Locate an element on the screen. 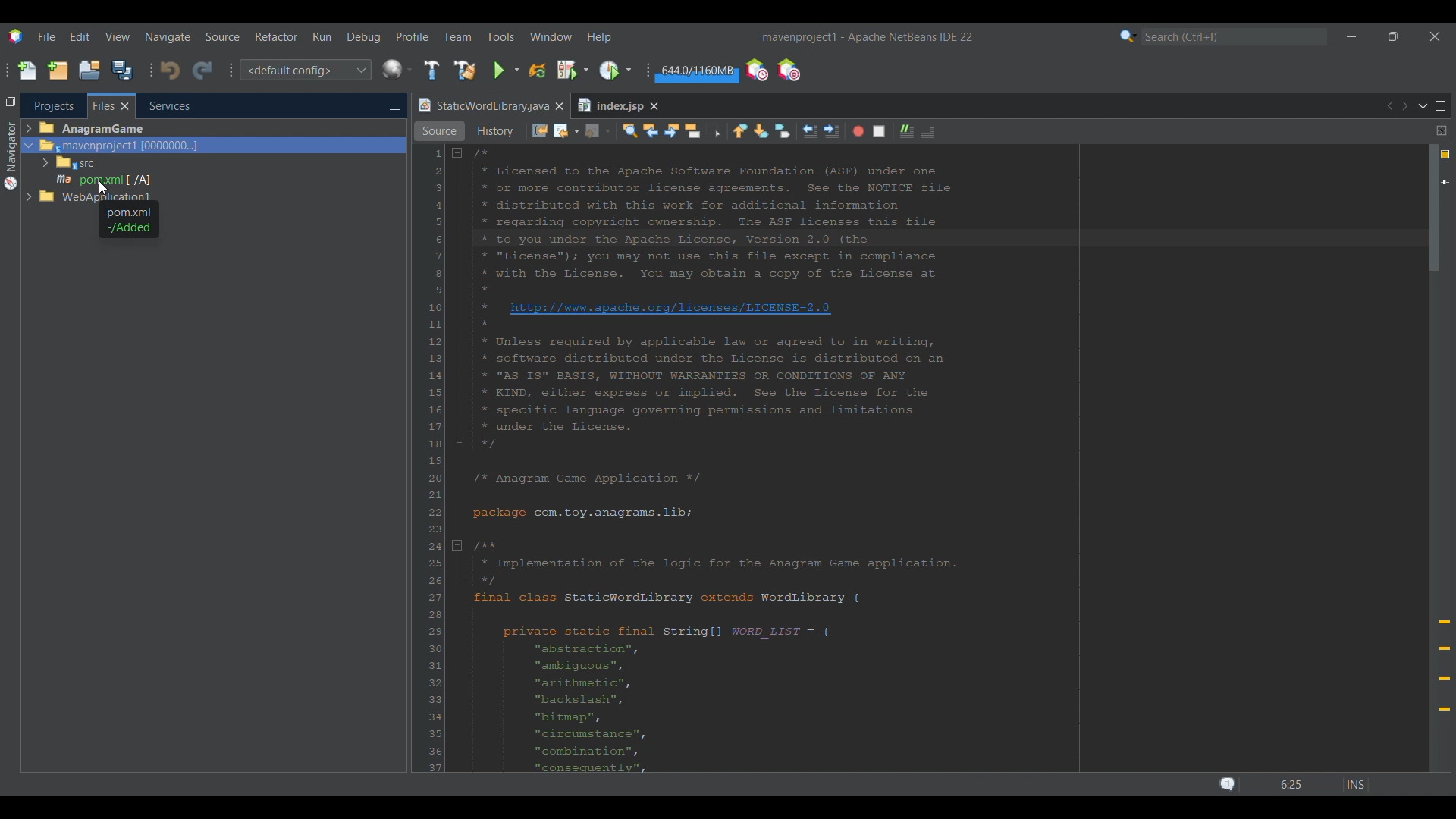 The image size is (1456, 819). Open project is located at coordinates (89, 70).